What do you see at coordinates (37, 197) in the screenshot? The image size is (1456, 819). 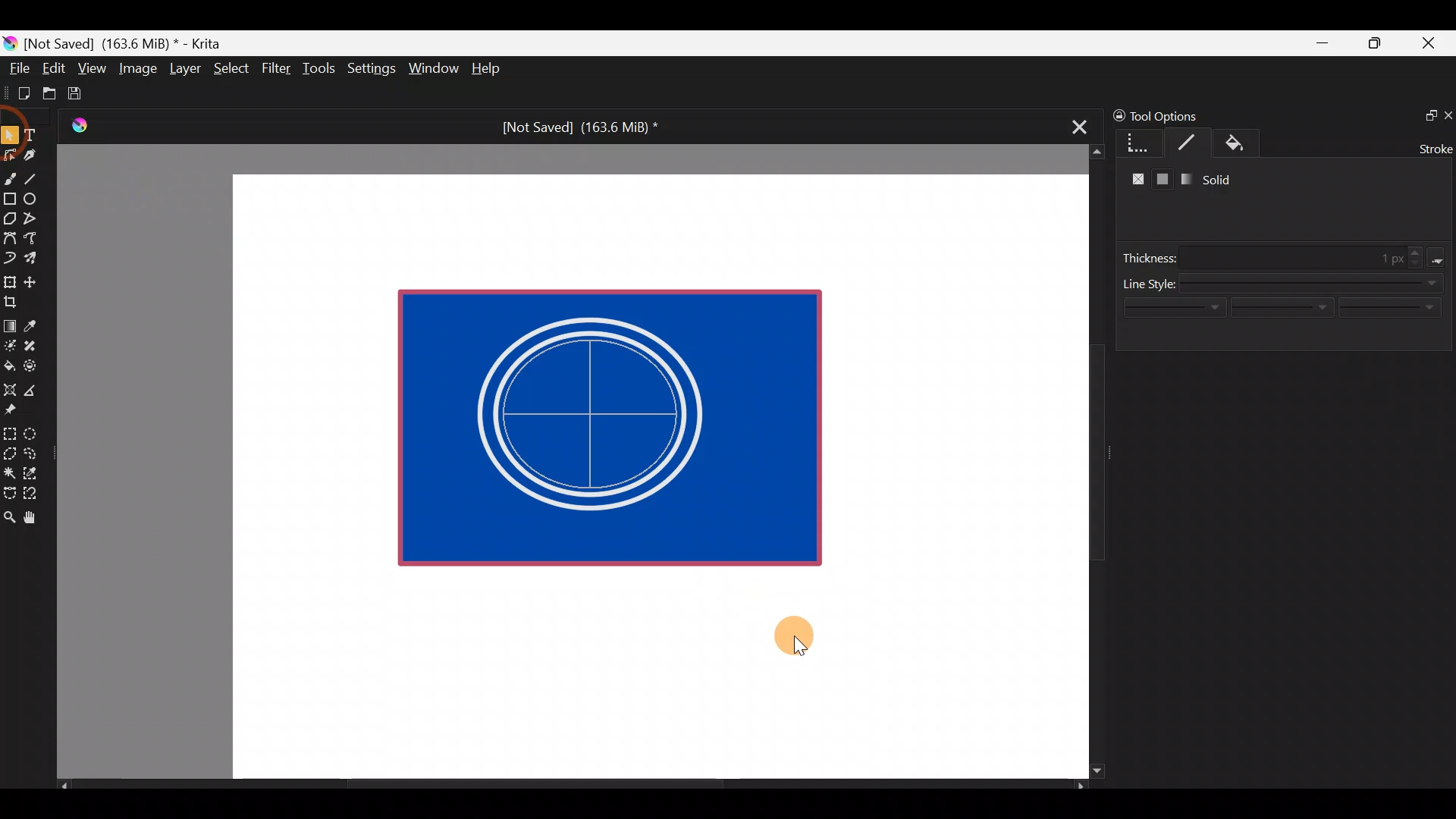 I see `Ellipse tool` at bounding box center [37, 197].